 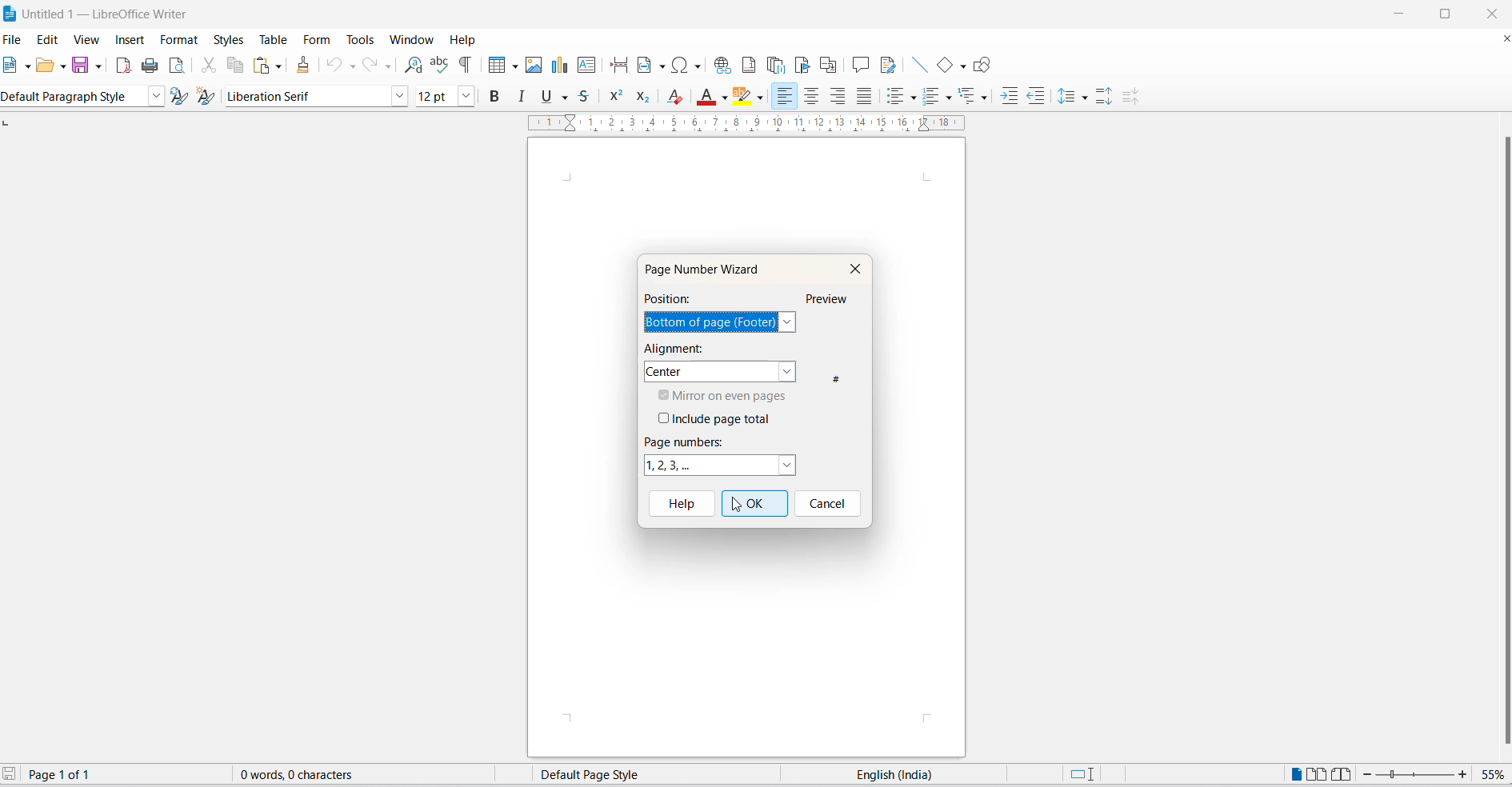 I want to click on superscript, so click(x=617, y=96).